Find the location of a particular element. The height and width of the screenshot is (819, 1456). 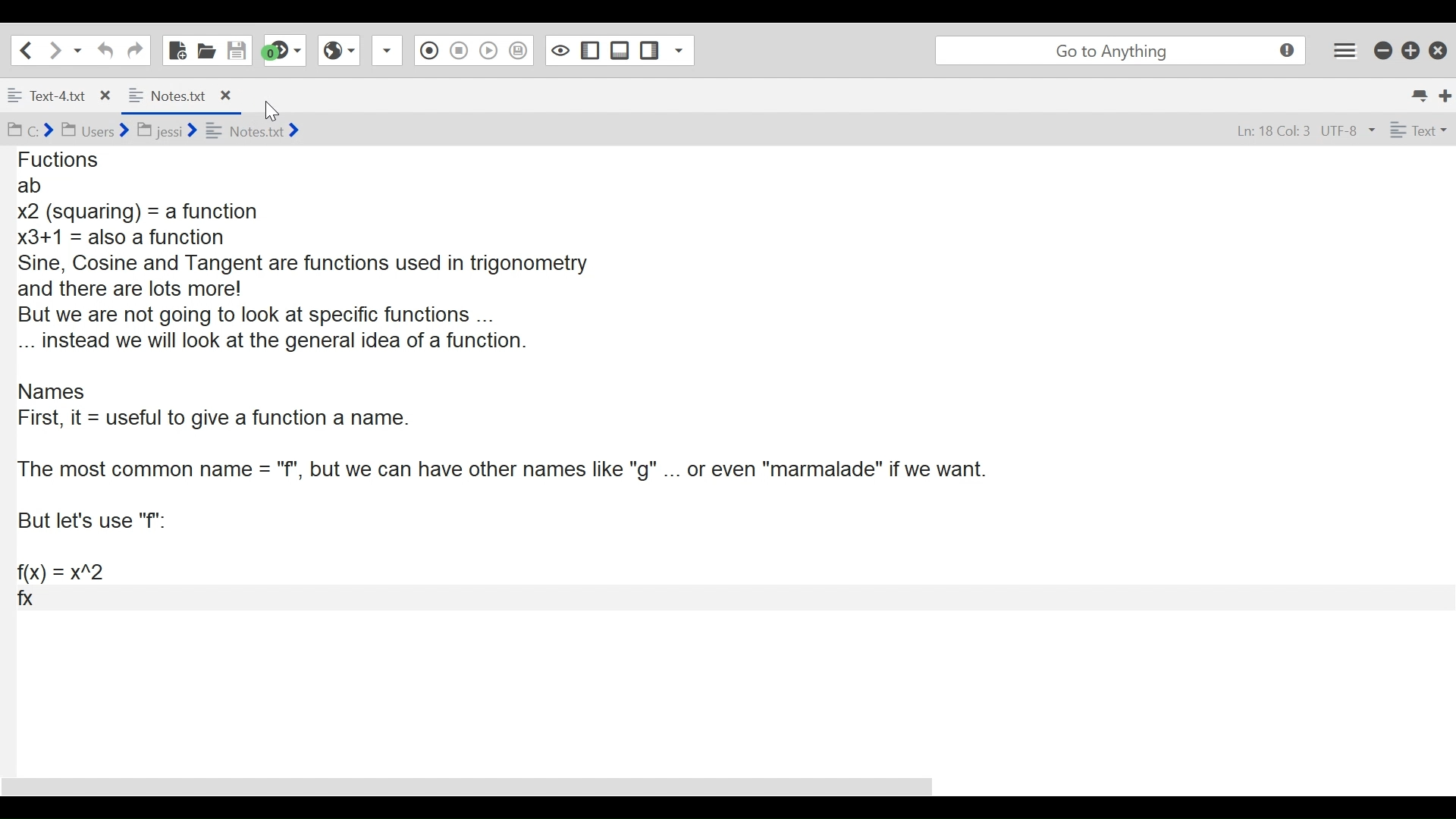

go to anything is located at coordinates (1116, 50).